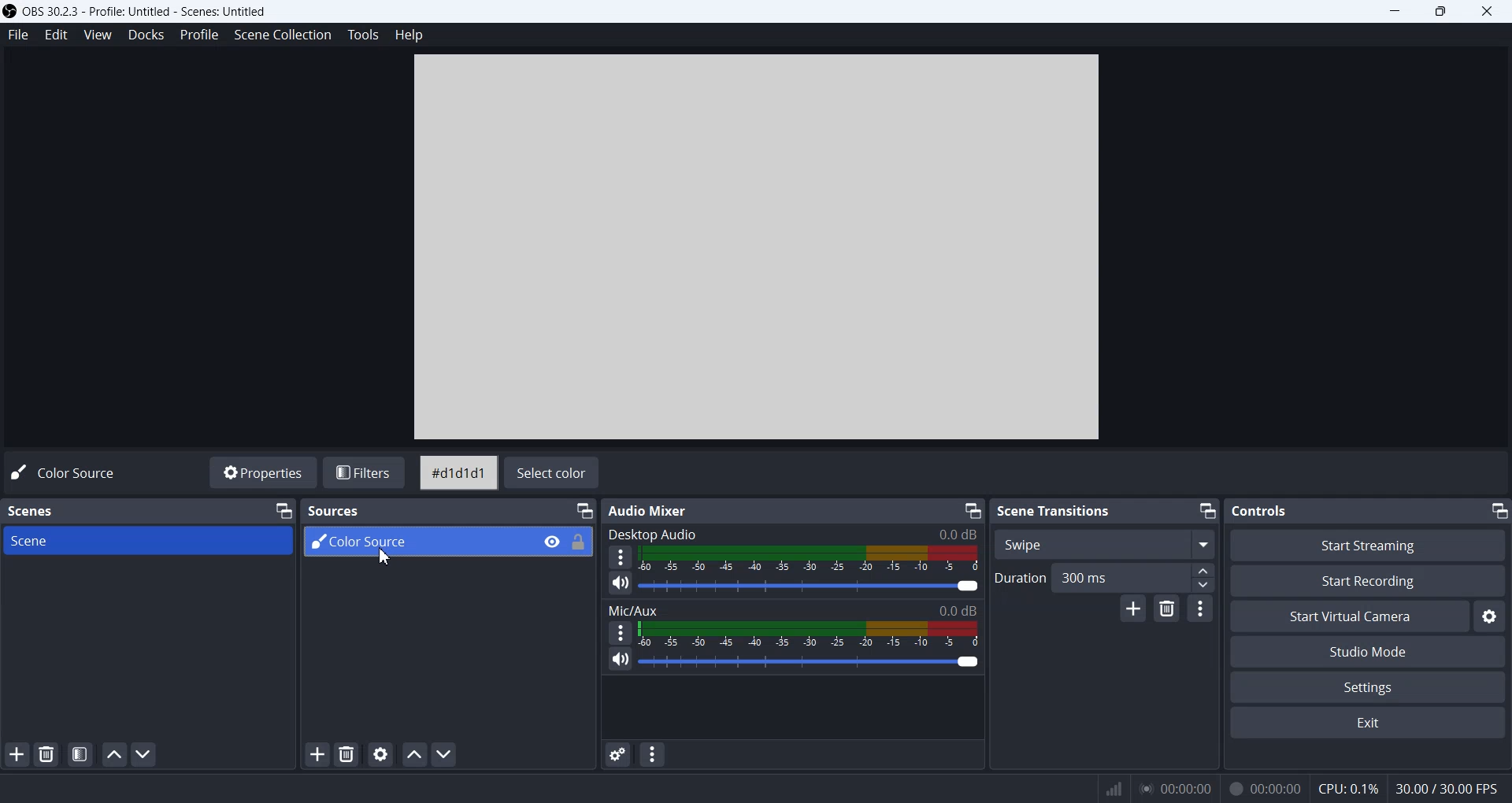  I want to click on CPU: 0.1%, so click(1343, 786).